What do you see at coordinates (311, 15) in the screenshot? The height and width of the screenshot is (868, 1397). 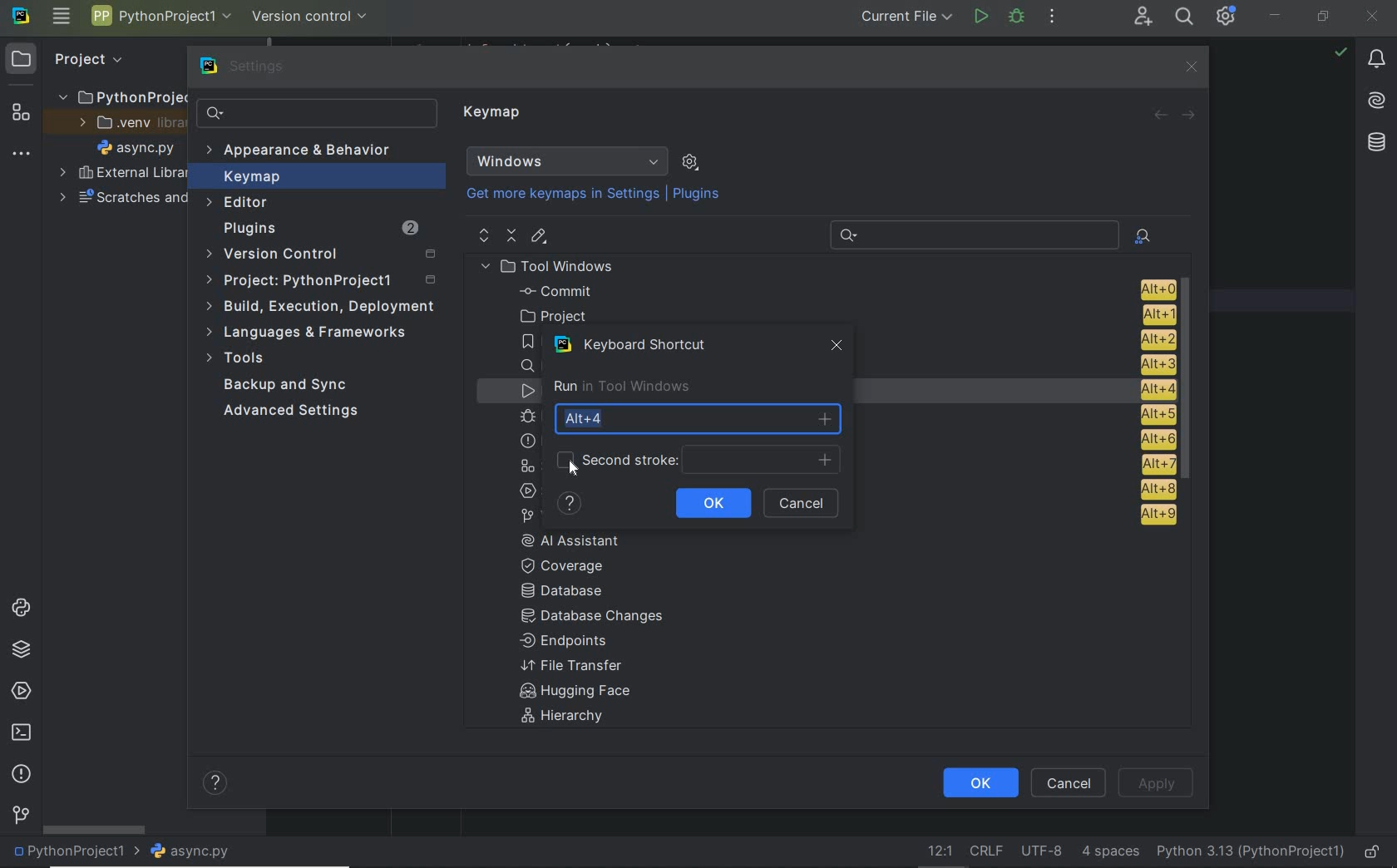 I see `version control` at bounding box center [311, 15].